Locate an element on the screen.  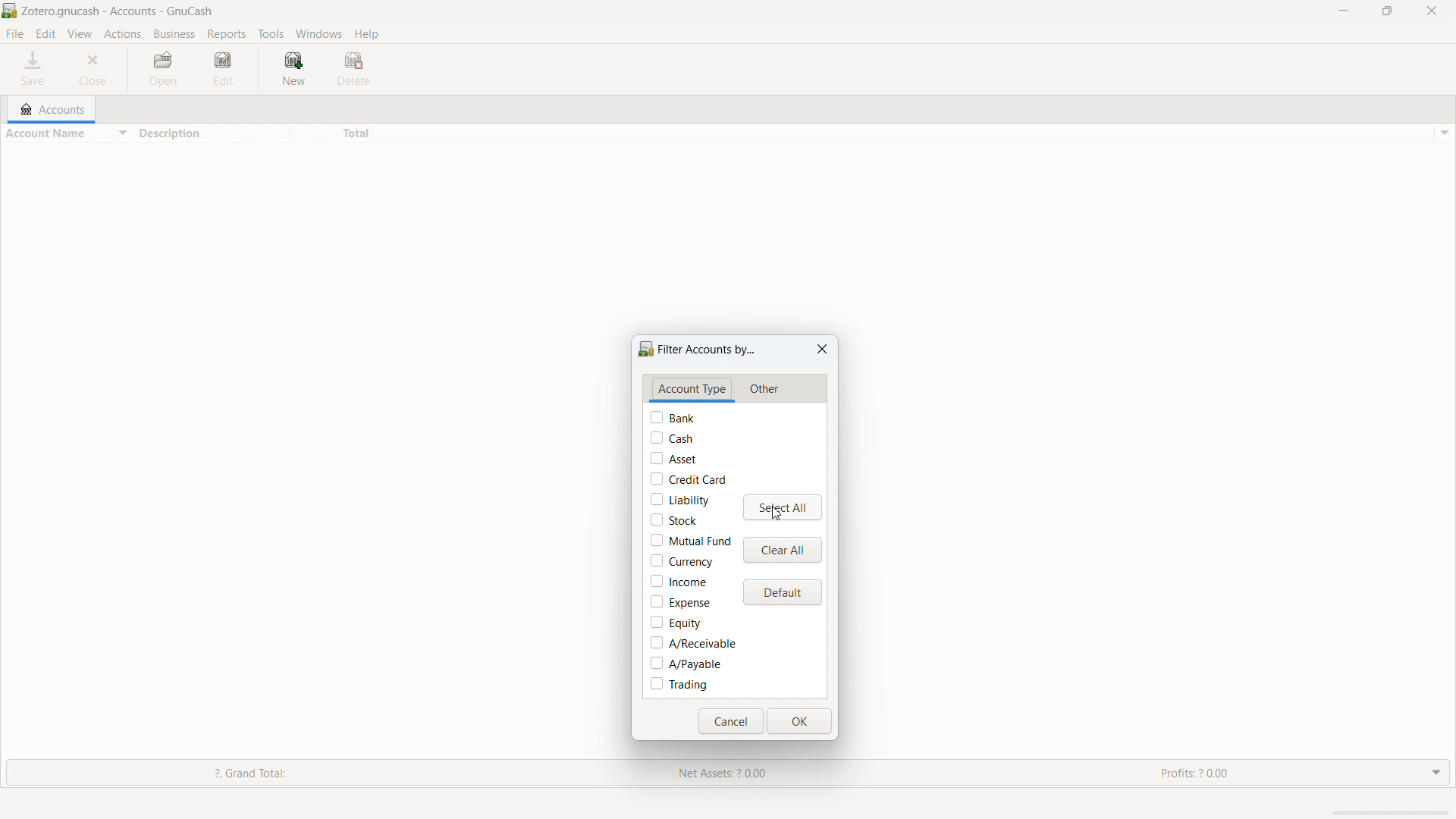
filter accounts by is located at coordinates (700, 347).